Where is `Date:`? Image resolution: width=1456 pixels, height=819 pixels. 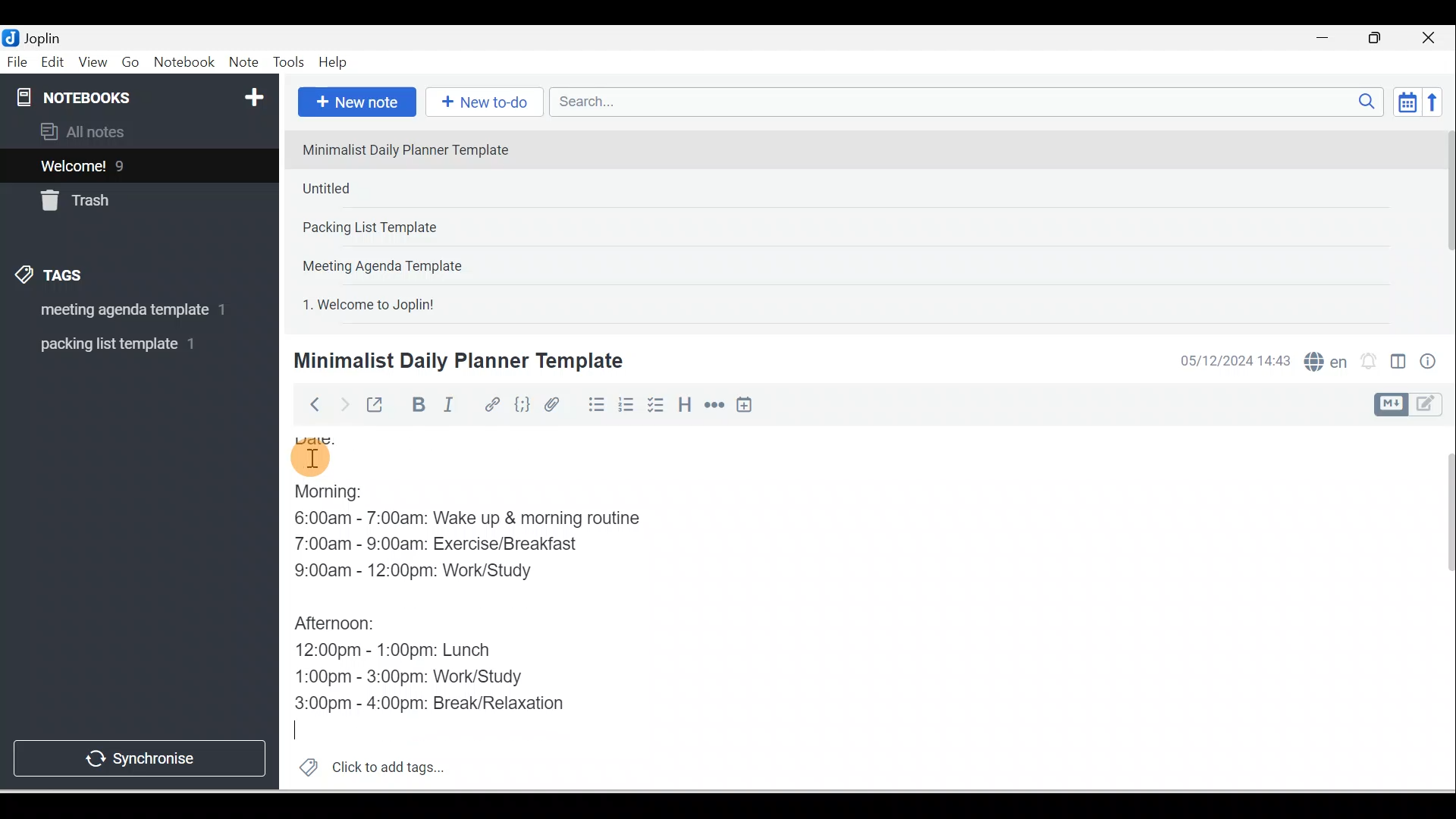 Date: is located at coordinates (353, 439).